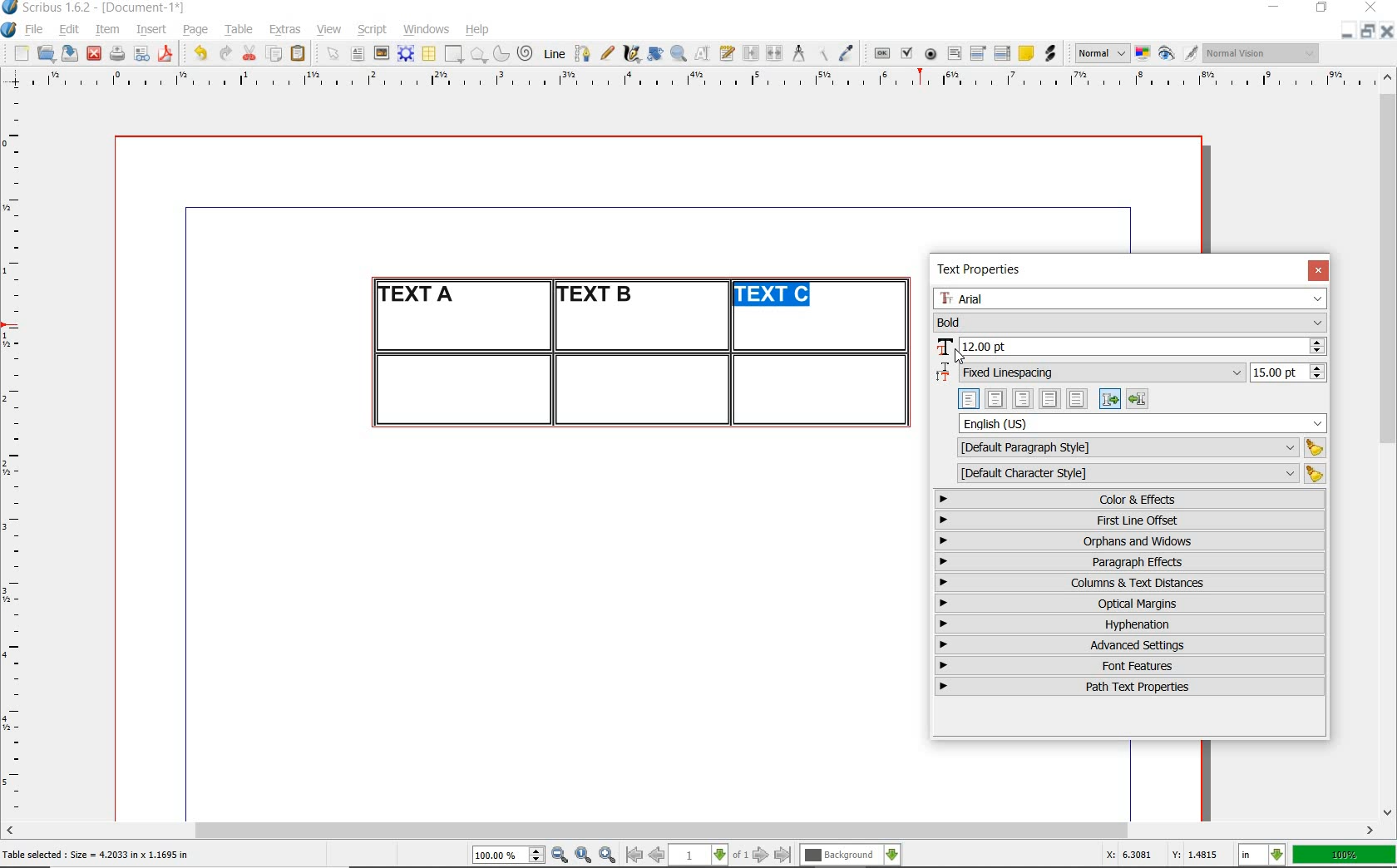 Image resolution: width=1397 pixels, height=868 pixels. I want to click on preflight verifier, so click(142, 55).